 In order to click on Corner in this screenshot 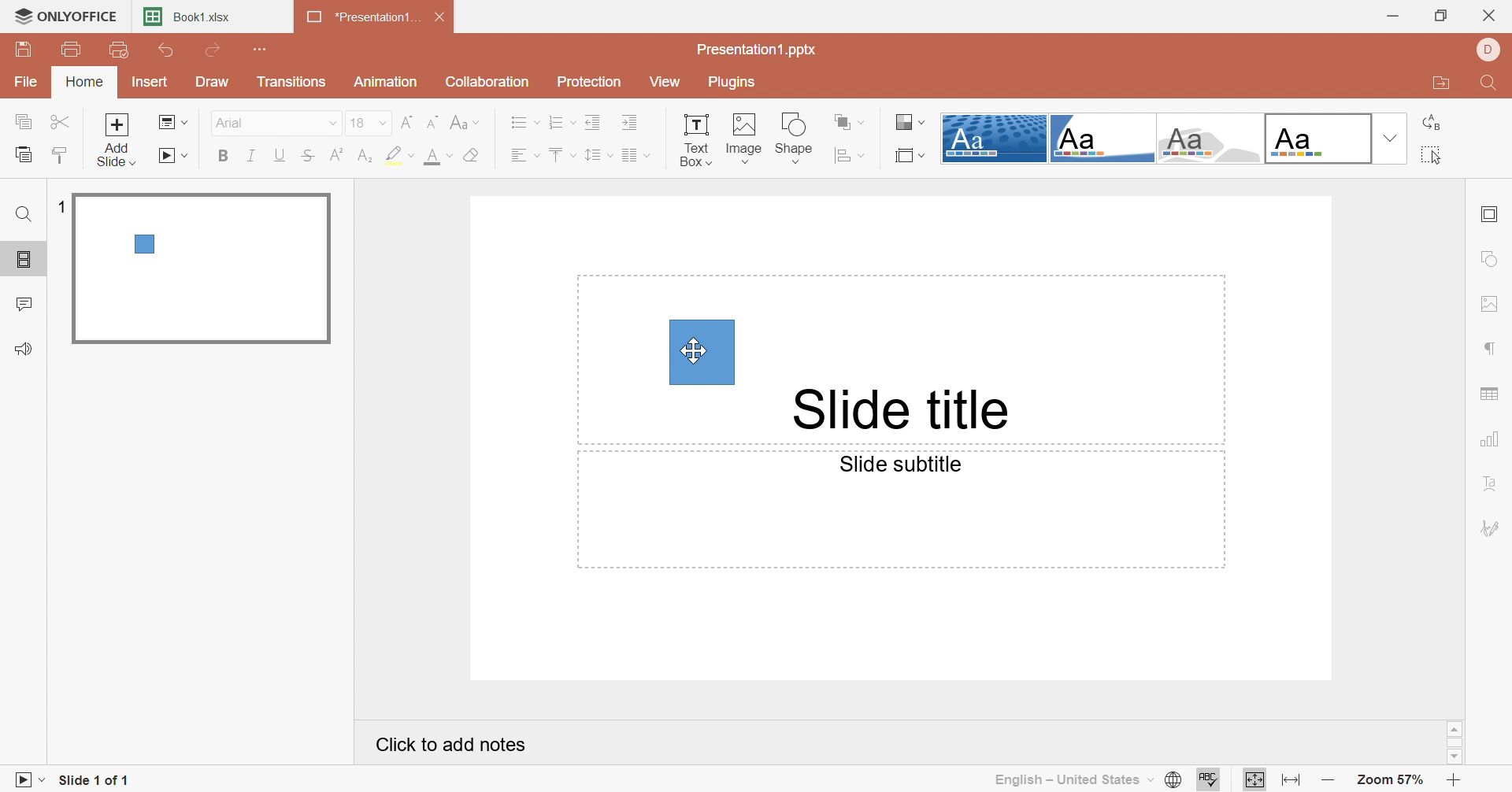, I will do `click(1103, 139)`.